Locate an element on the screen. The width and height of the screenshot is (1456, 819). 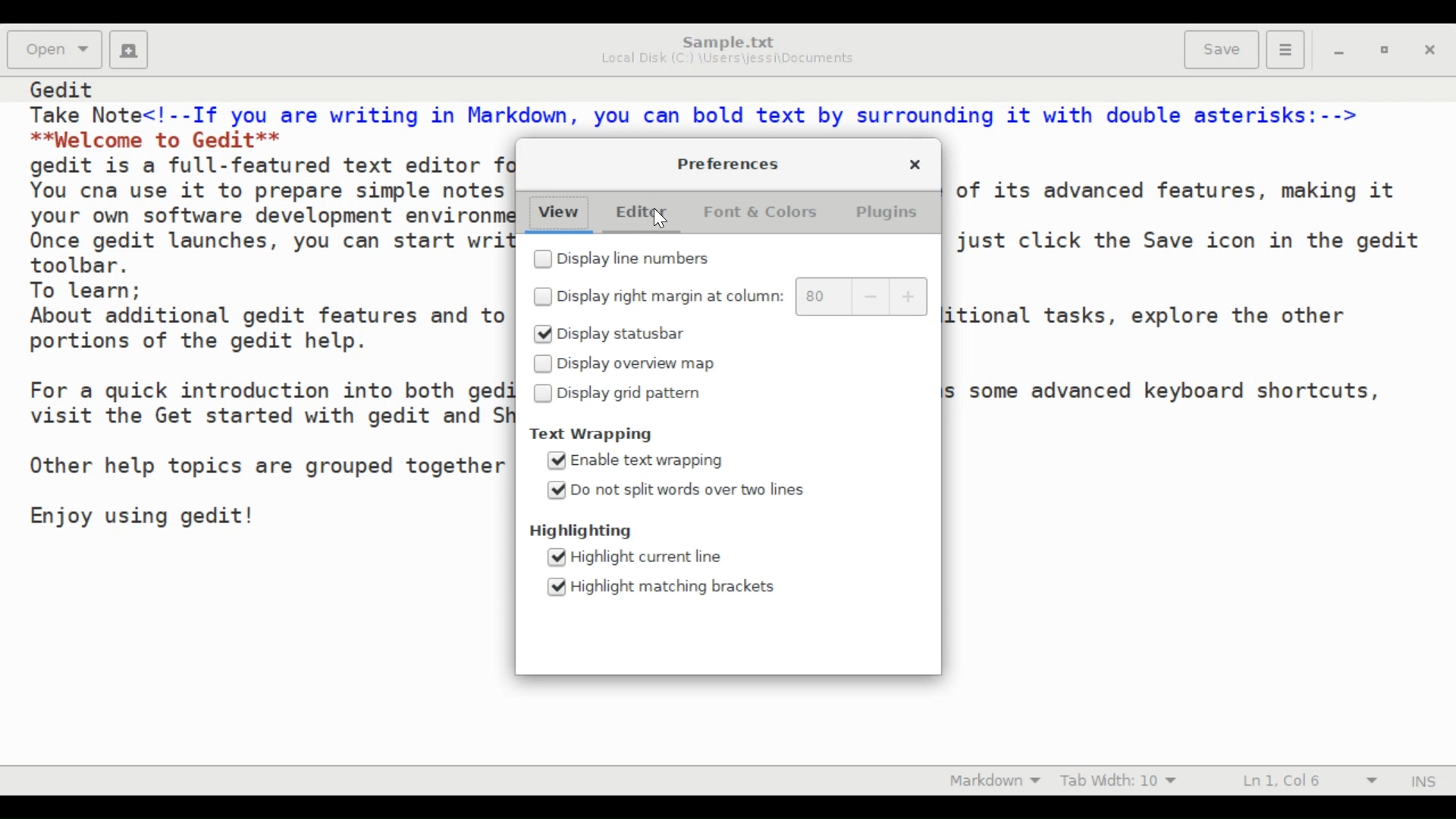
Tab Width: 10 is located at coordinates (1126, 780).